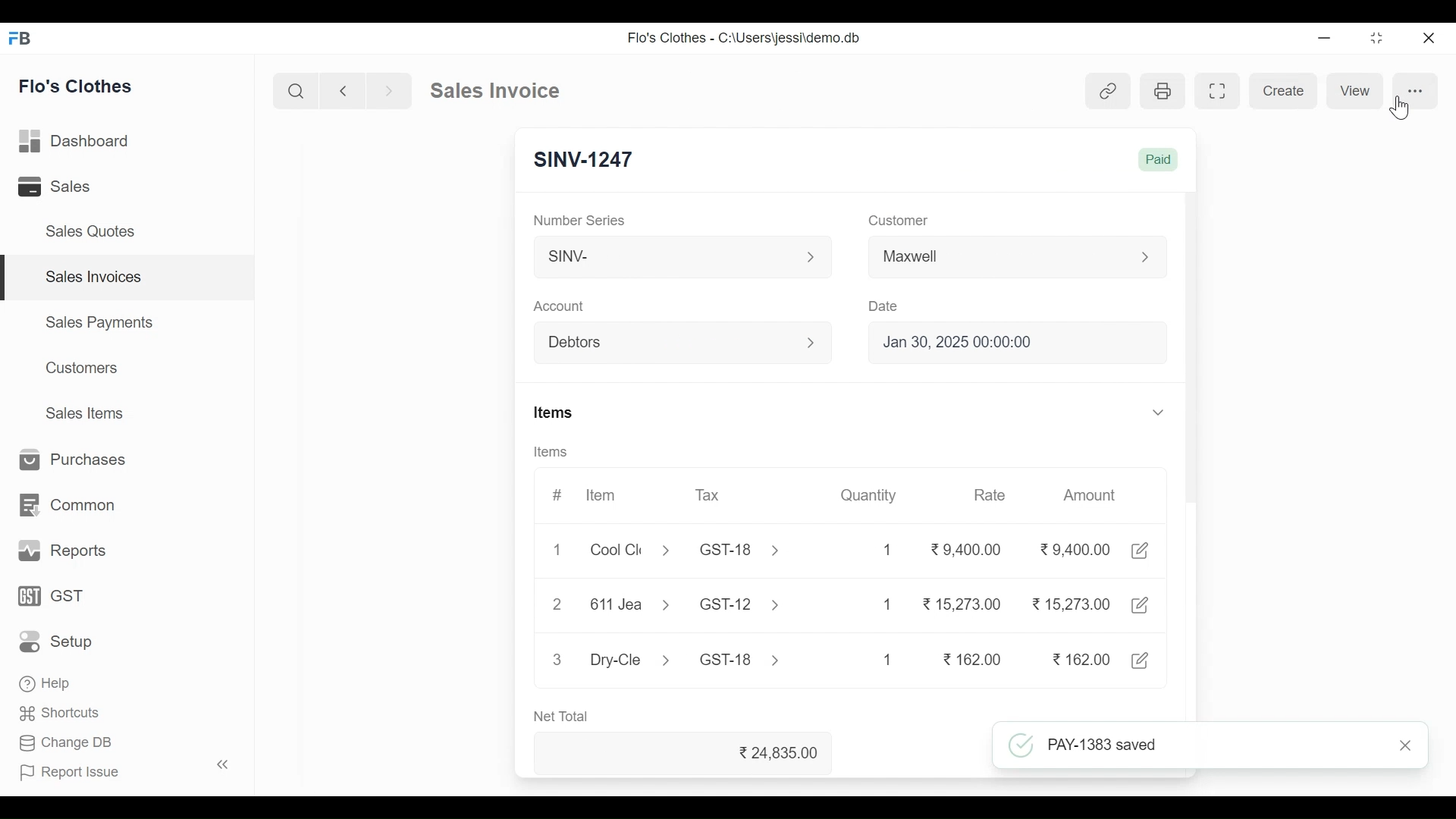 The width and height of the screenshot is (1456, 819). What do you see at coordinates (1161, 90) in the screenshot?
I see `Print` at bounding box center [1161, 90].